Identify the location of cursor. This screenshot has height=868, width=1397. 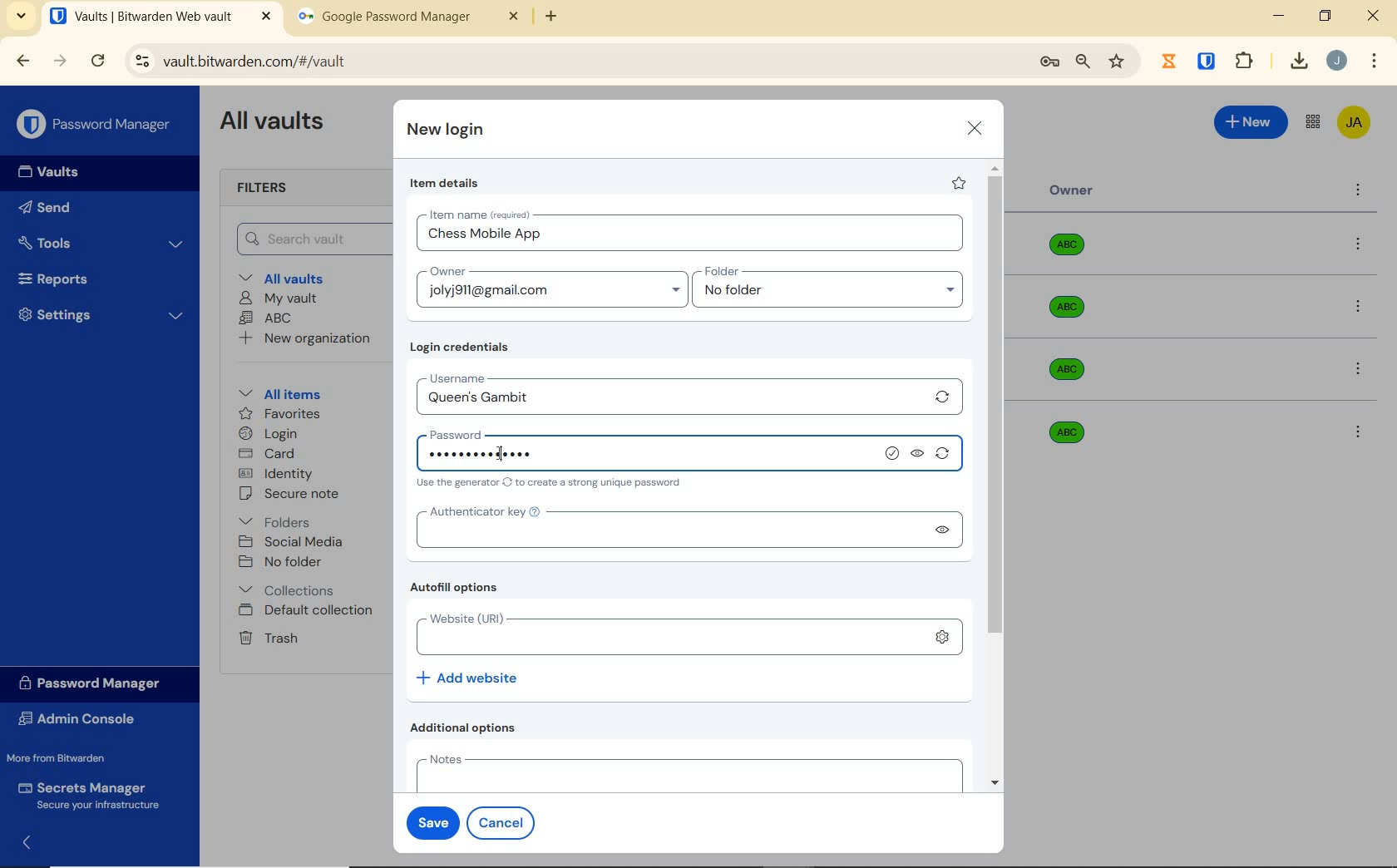
(497, 453).